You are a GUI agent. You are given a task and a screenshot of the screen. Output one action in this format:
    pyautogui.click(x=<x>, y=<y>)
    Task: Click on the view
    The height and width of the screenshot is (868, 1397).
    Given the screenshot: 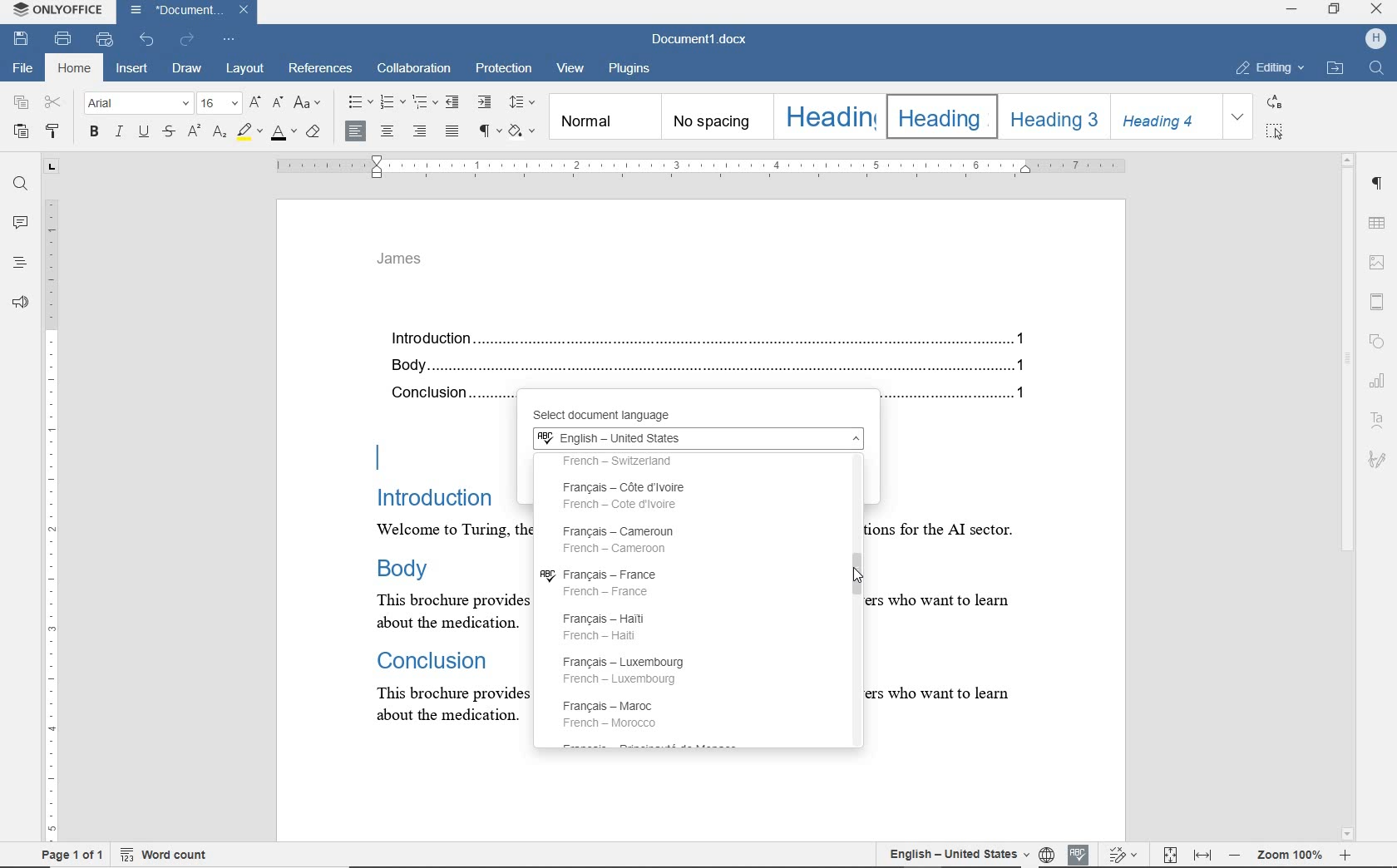 What is the action you would take?
    pyautogui.click(x=573, y=71)
    